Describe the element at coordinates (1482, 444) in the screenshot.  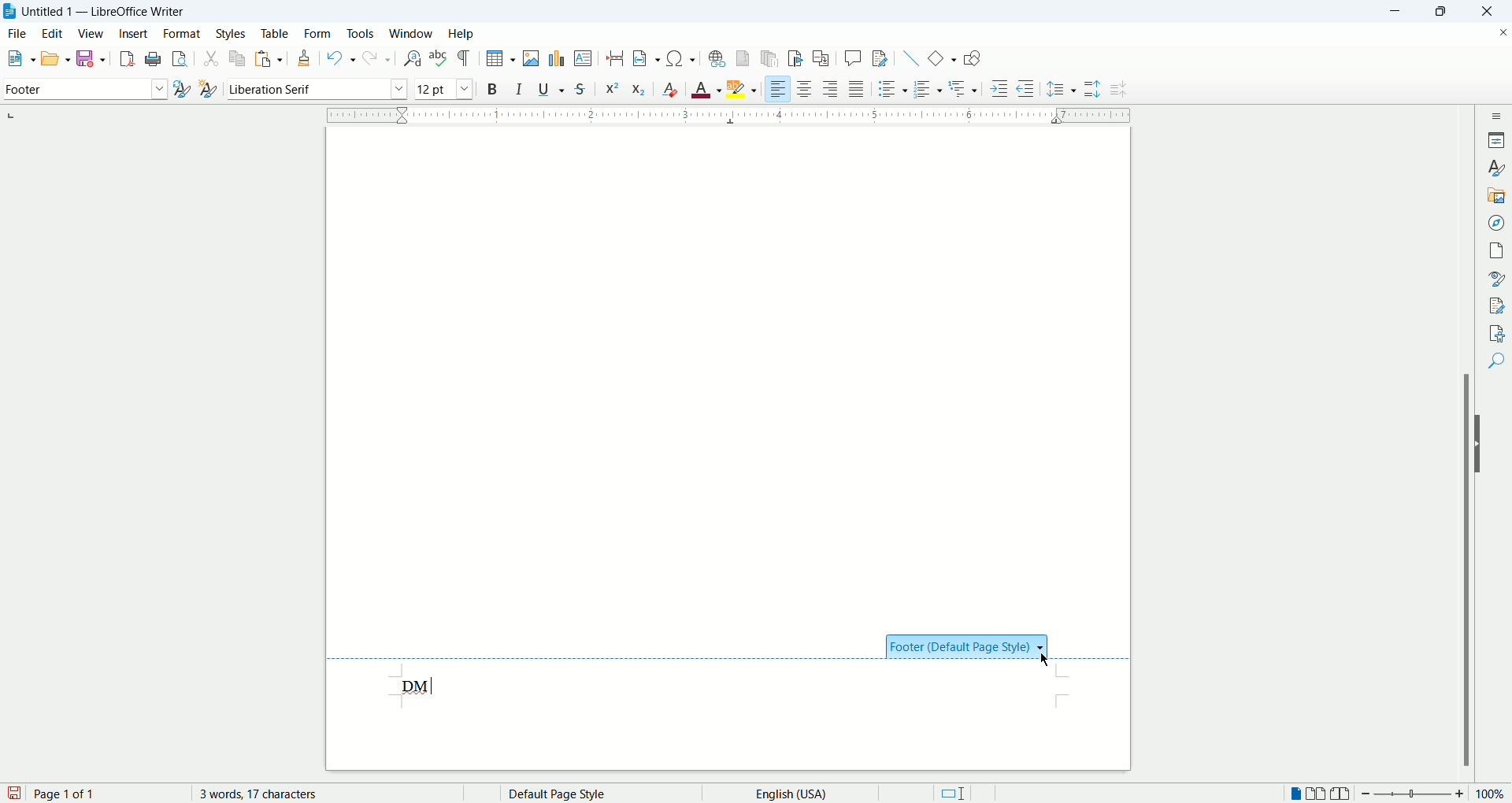
I see `hide` at that location.